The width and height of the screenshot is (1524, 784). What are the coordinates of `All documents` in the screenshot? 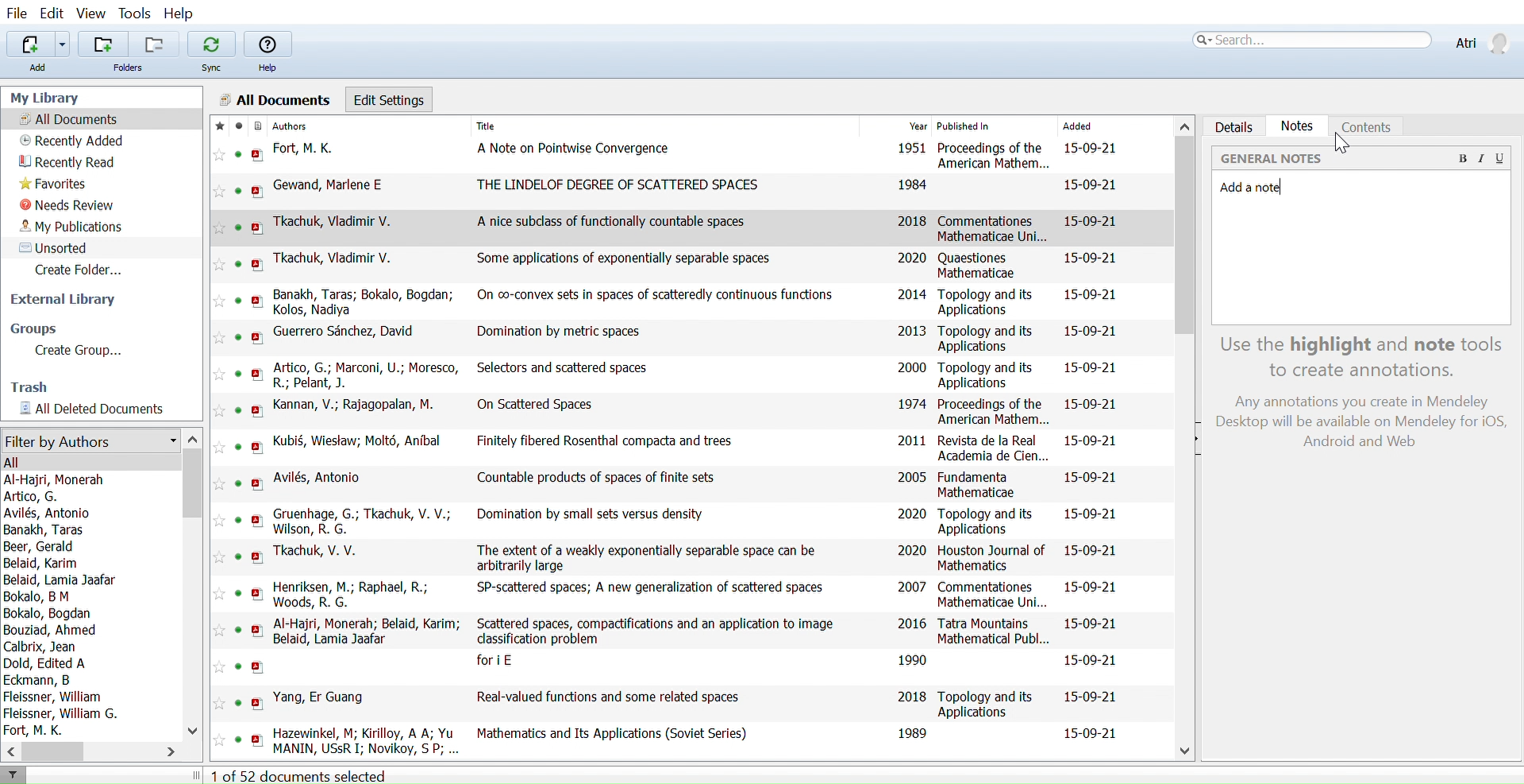 It's located at (68, 119).